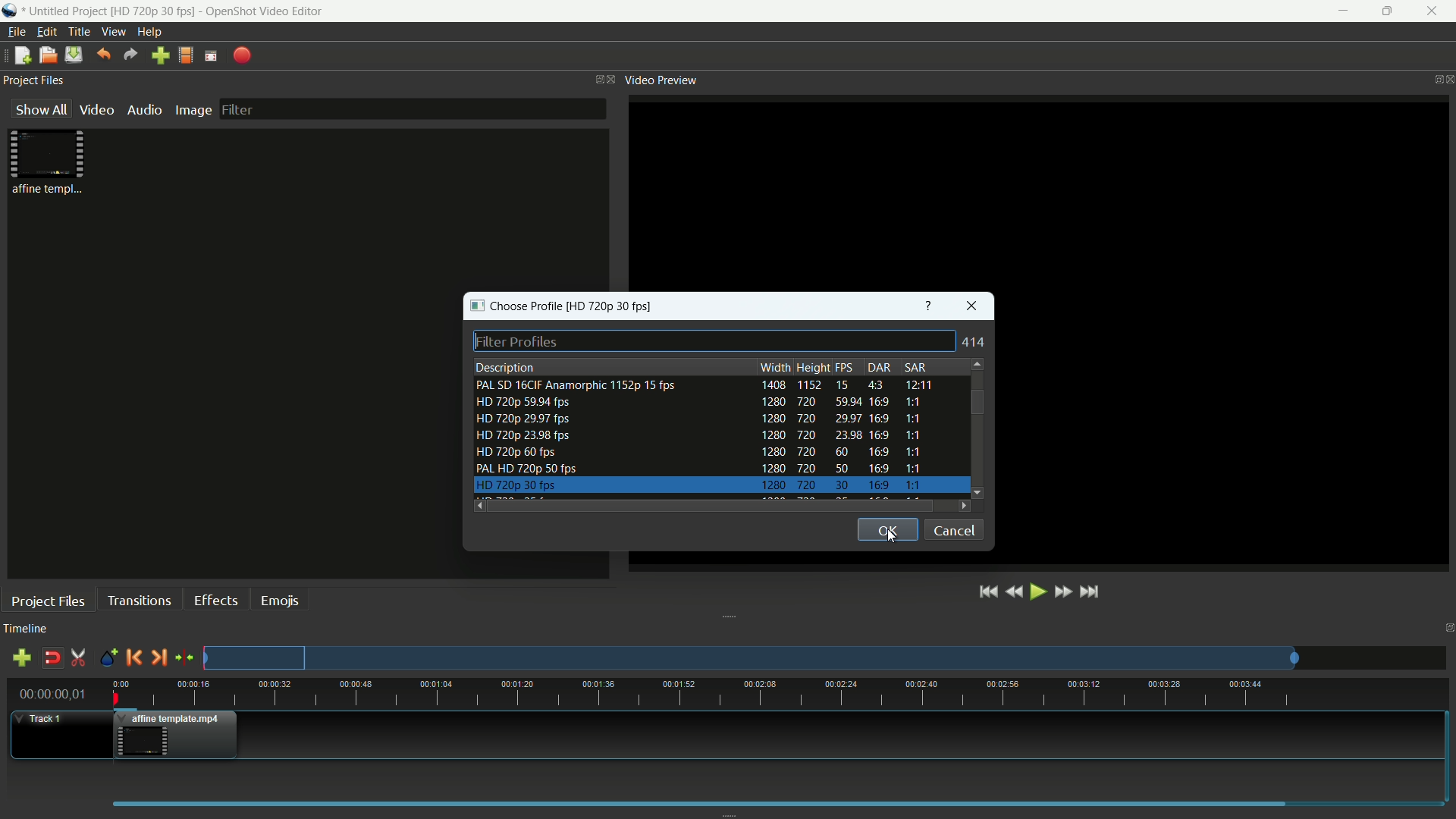 The image size is (1456, 819). I want to click on close window, so click(972, 308).